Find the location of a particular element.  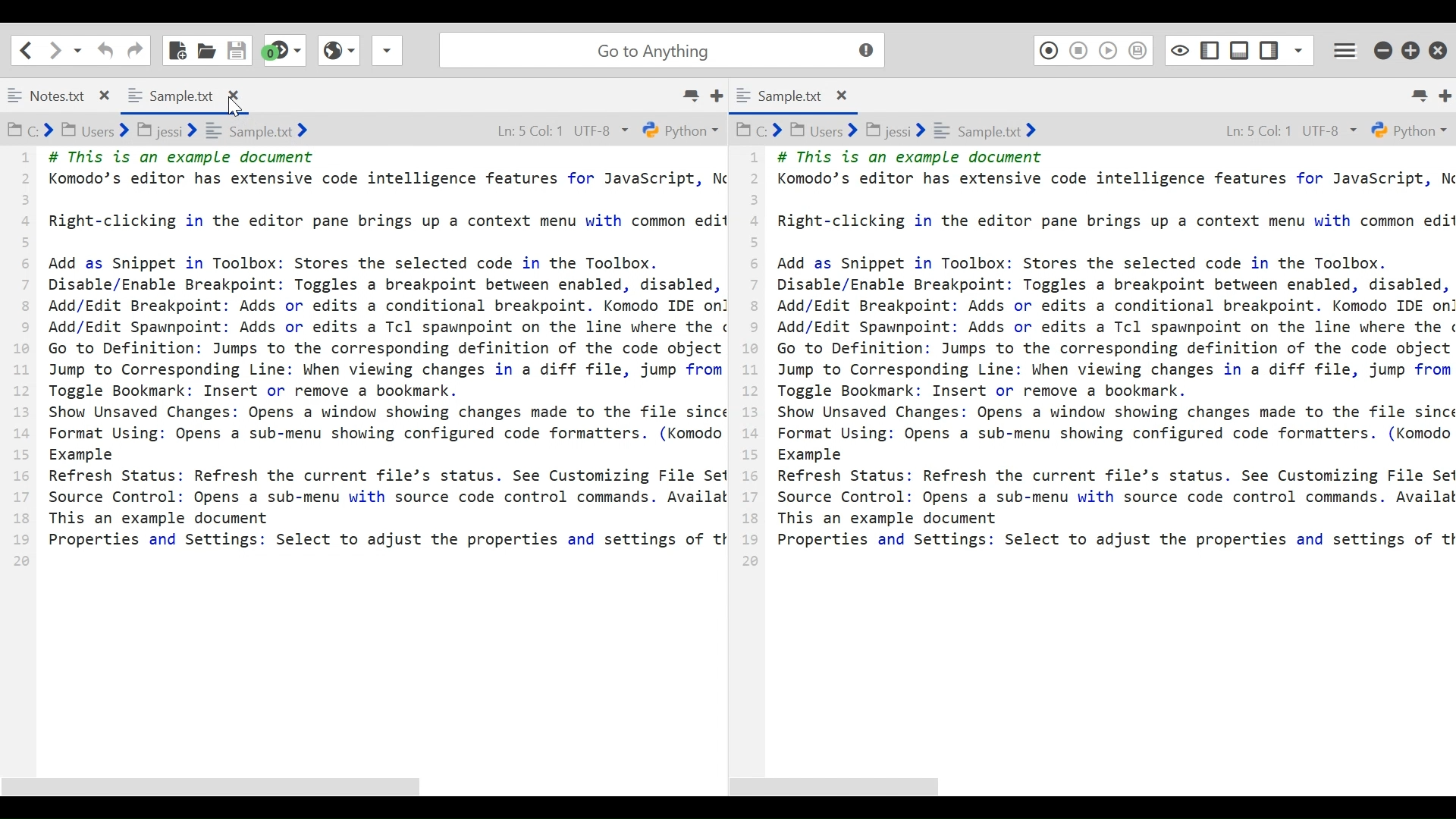

View Browser is located at coordinates (337, 50).